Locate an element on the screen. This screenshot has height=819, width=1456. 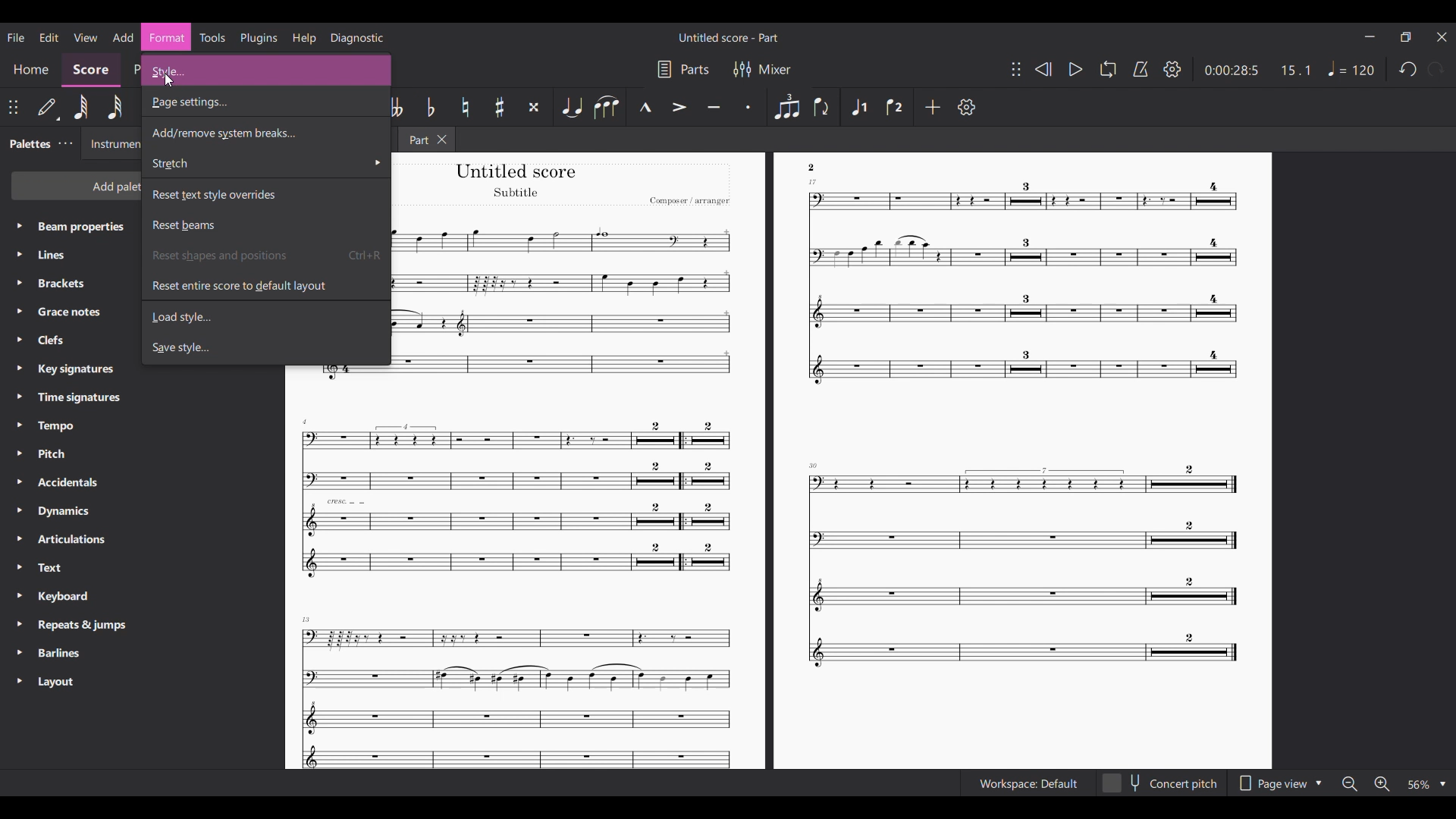
Tempo is located at coordinates (71, 427).